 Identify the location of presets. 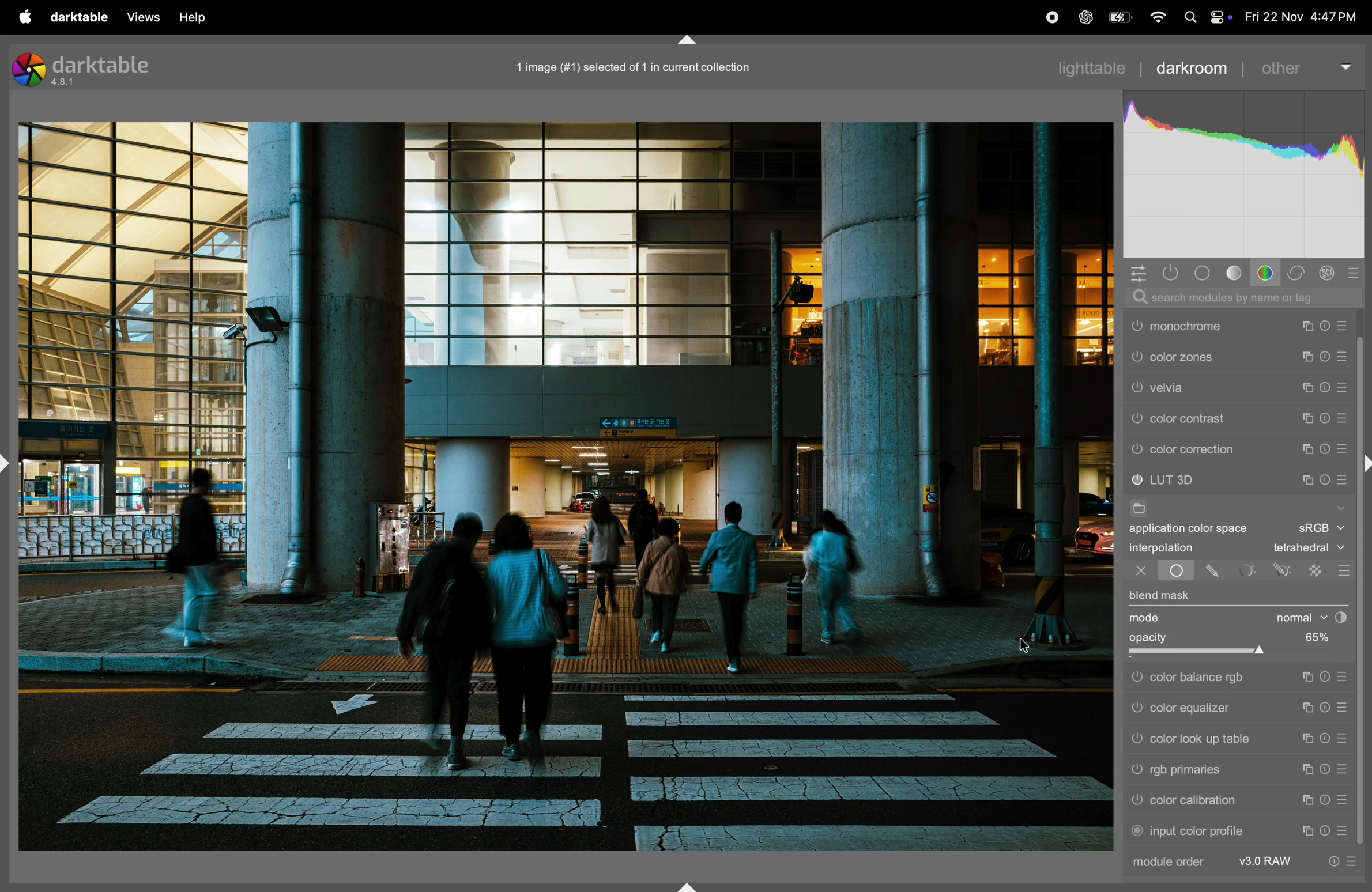
(1356, 273).